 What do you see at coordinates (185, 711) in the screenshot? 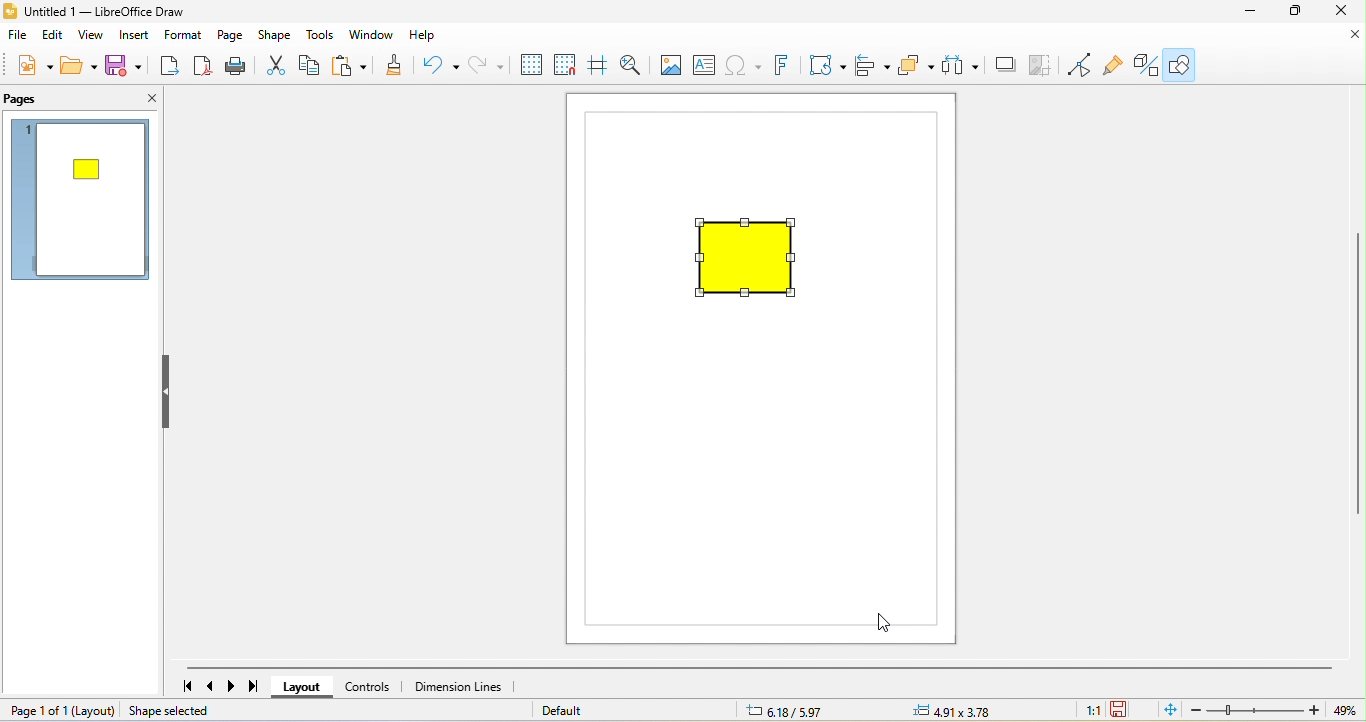
I see `shape selected` at bounding box center [185, 711].